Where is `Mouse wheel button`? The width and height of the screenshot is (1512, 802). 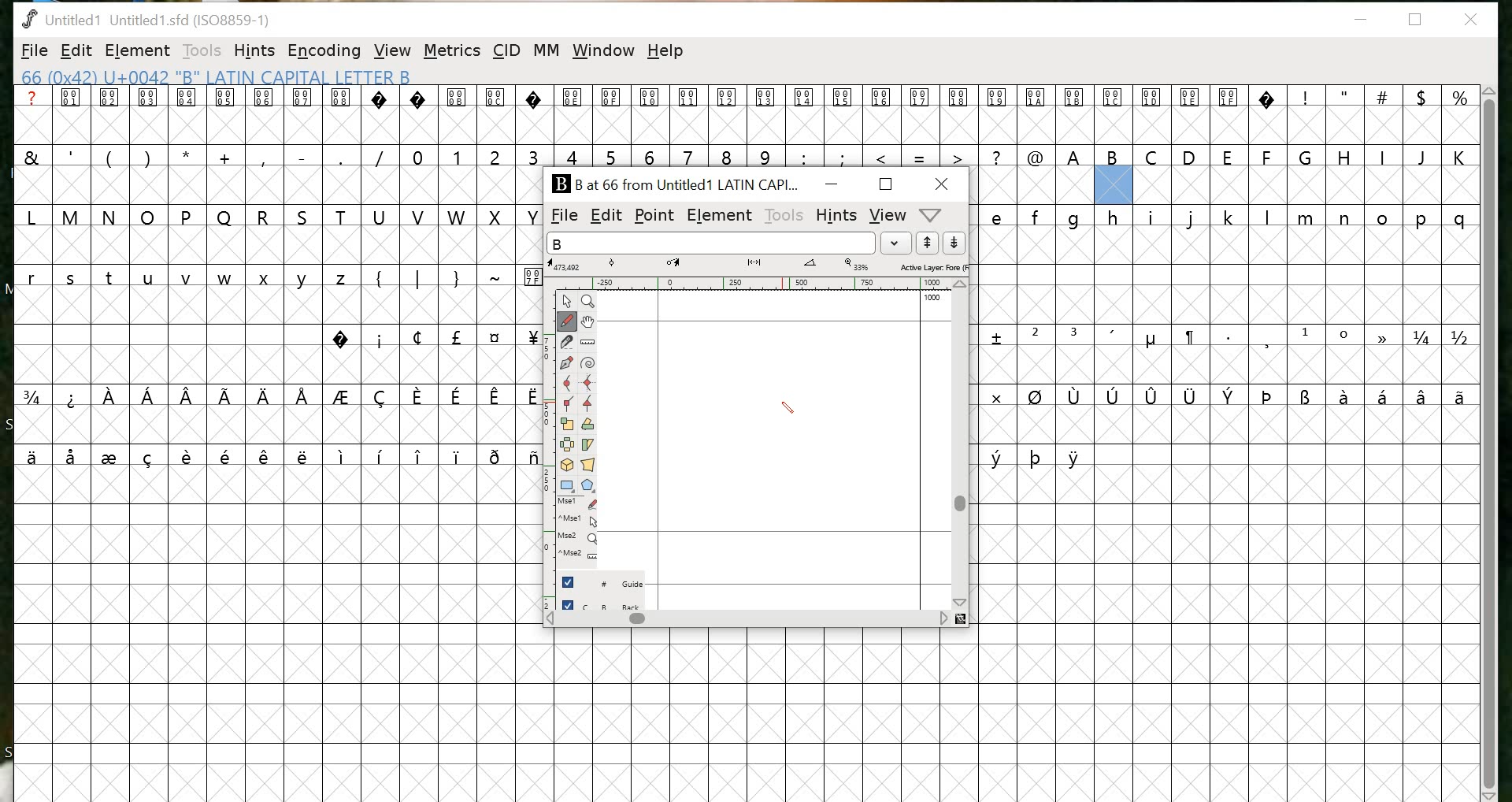
Mouse wheel button is located at coordinates (580, 539).